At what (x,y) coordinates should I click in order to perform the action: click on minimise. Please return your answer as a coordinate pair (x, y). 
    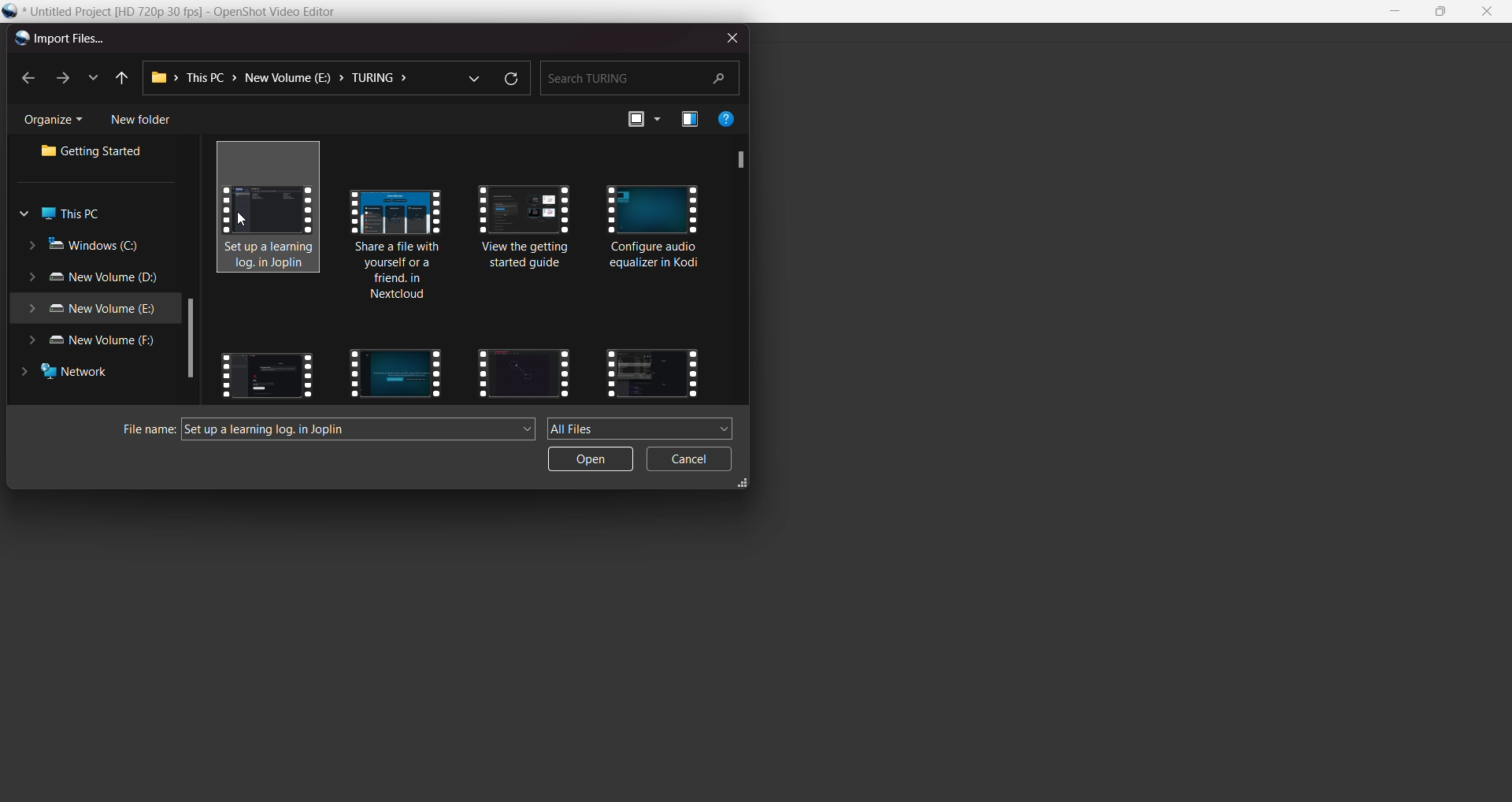
    Looking at the image, I should click on (1396, 12).